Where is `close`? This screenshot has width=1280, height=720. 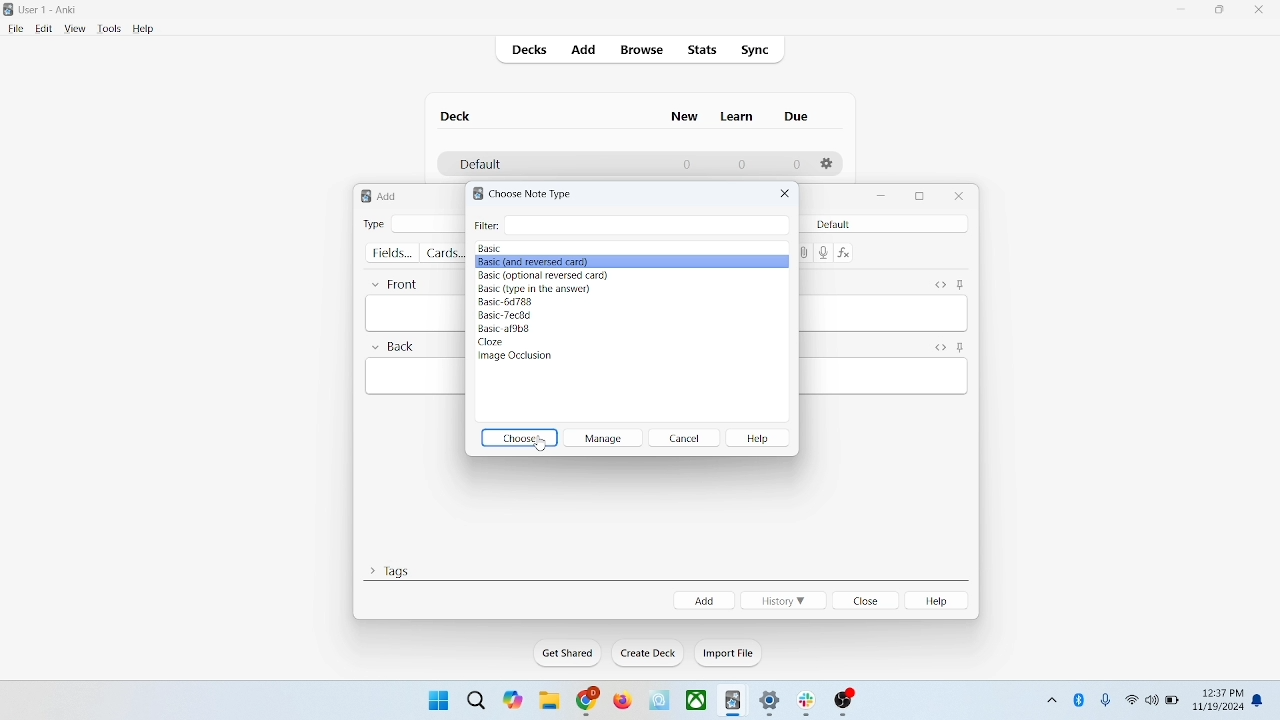
close is located at coordinates (867, 602).